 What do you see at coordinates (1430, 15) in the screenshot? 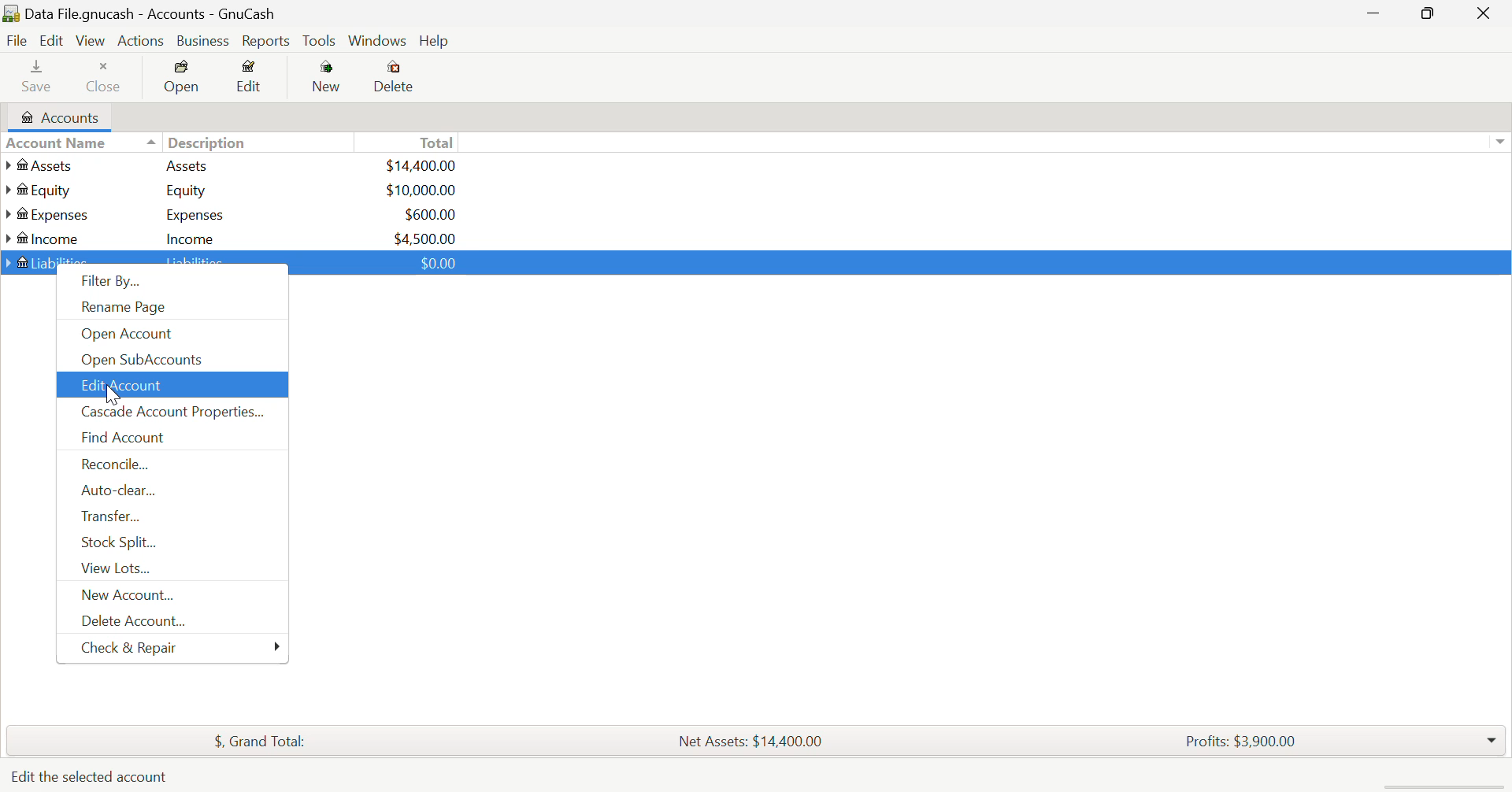
I see `Minimize` at bounding box center [1430, 15].